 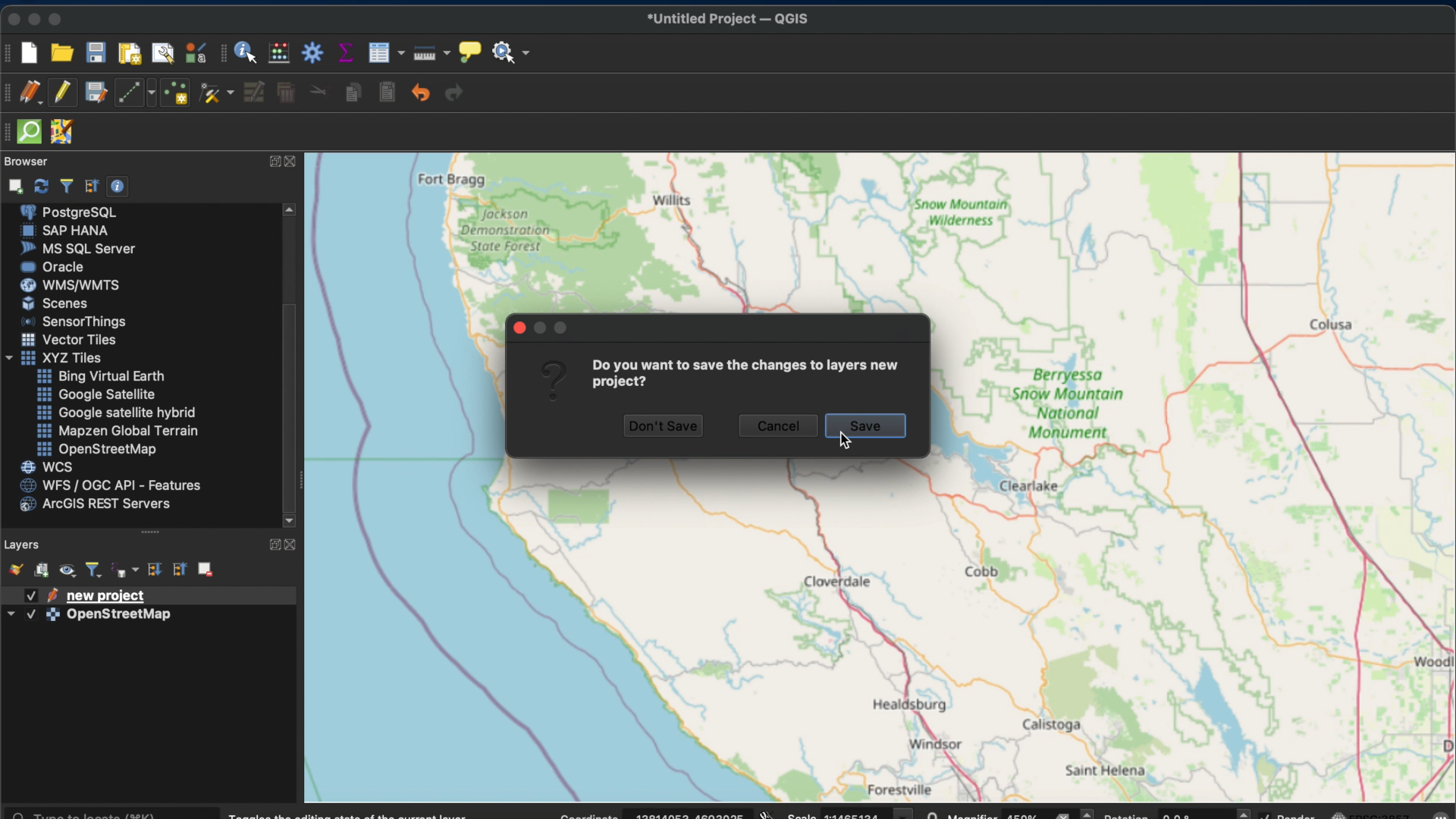 I want to click on openstreetmap, so click(x=95, y=450).